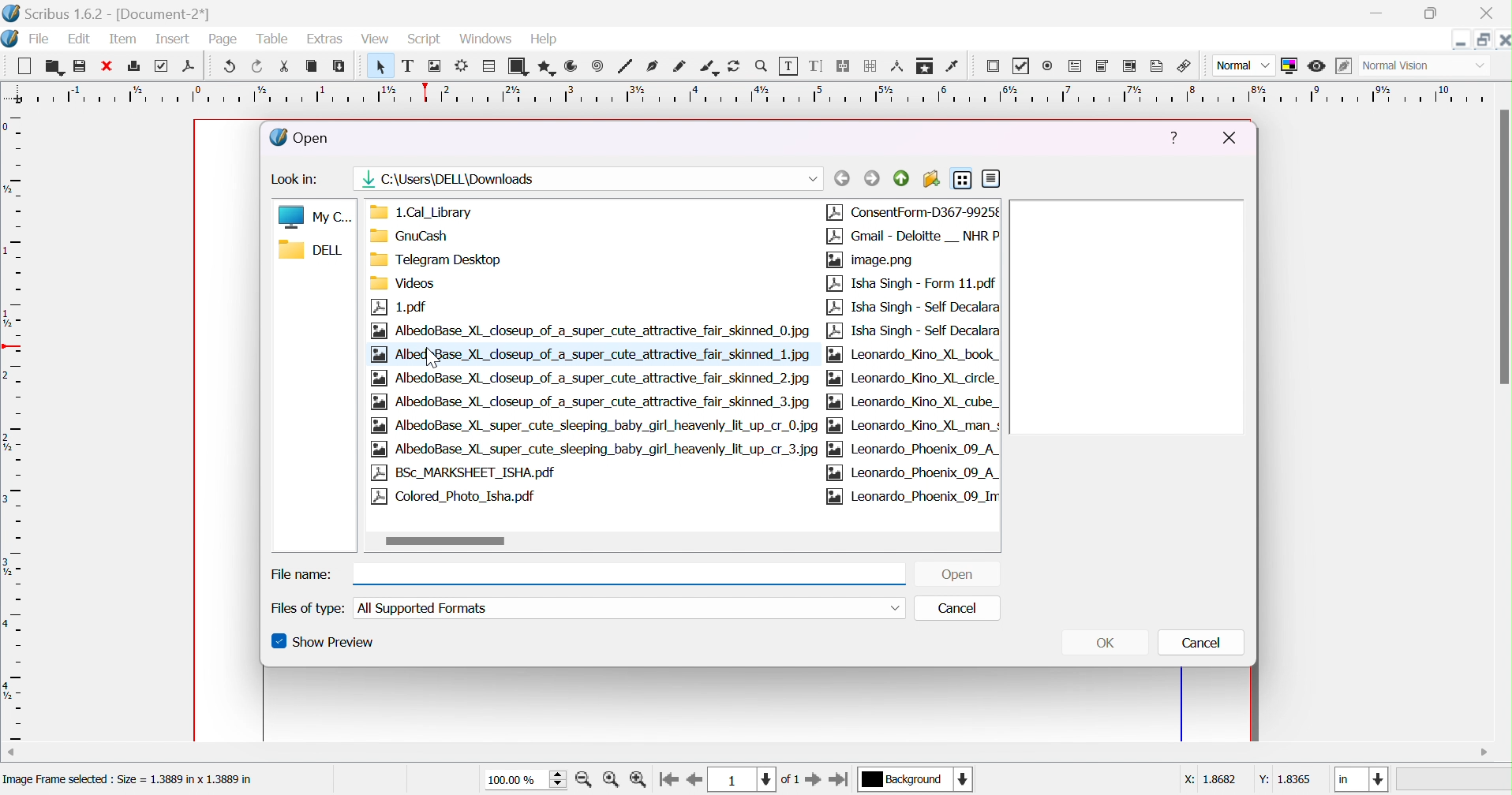 The image size is (1512, 795). What do you see at coordinates (301, 573) in the screenshot?
I see `file name:` at bounding box center [301, 573].